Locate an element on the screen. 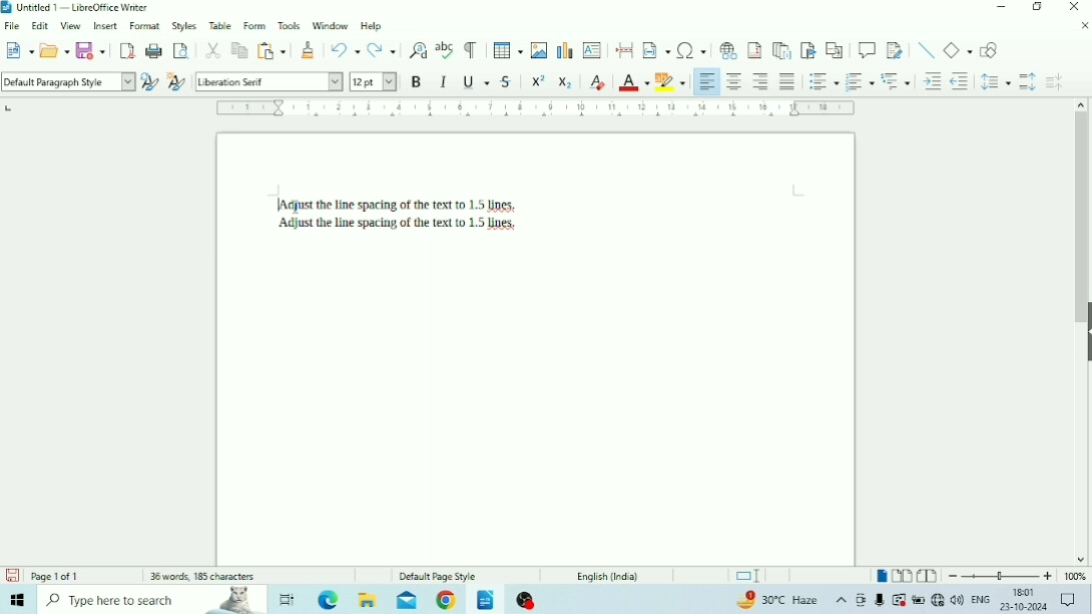 The image size is (1092, 614). Mail is located at coordinates (408, 600).